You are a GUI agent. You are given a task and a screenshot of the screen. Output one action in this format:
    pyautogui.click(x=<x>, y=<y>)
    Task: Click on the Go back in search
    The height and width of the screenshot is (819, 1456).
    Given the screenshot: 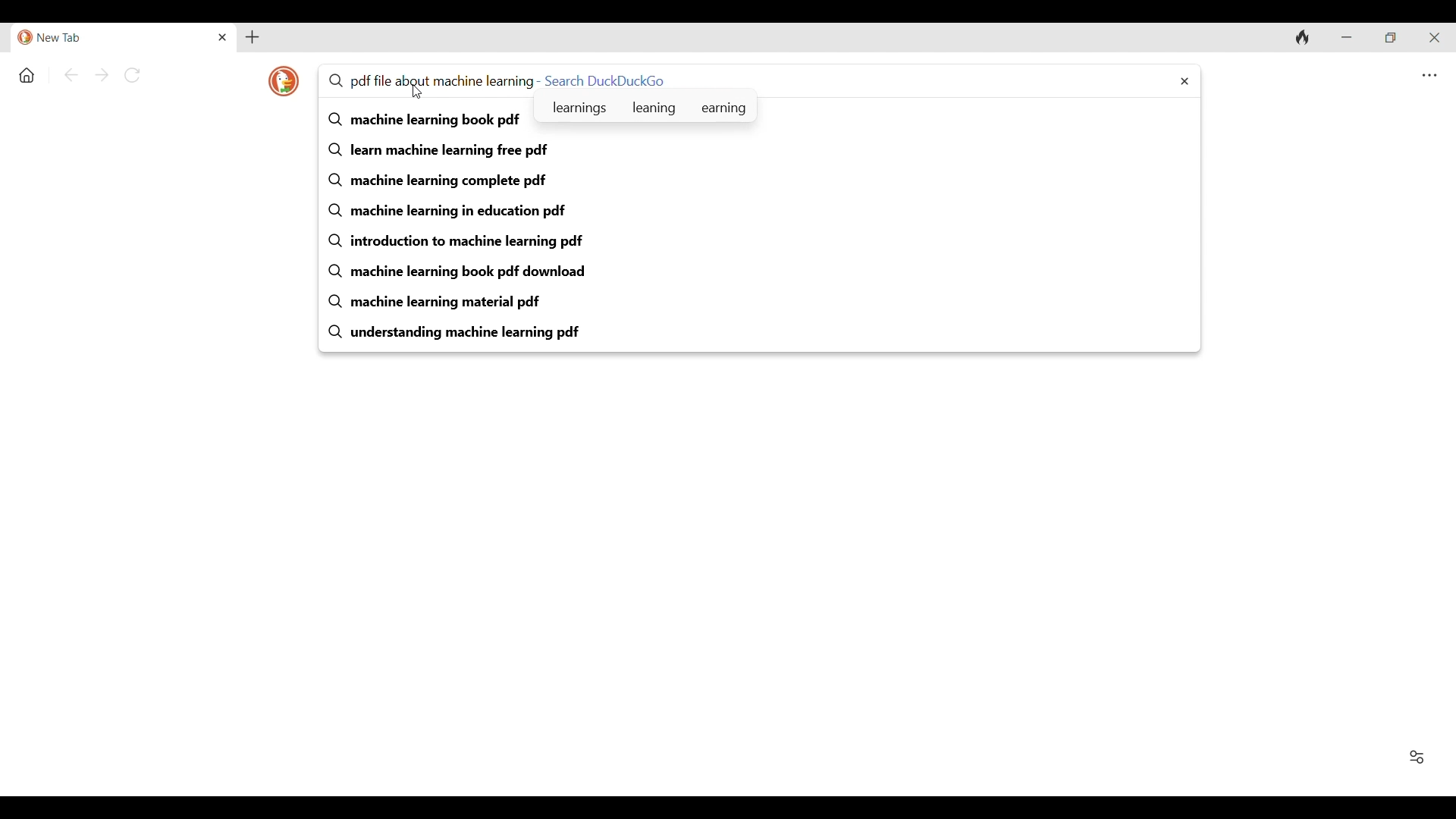 What is the action you would take?
    pyautogui.click(x=71, y=74)
    